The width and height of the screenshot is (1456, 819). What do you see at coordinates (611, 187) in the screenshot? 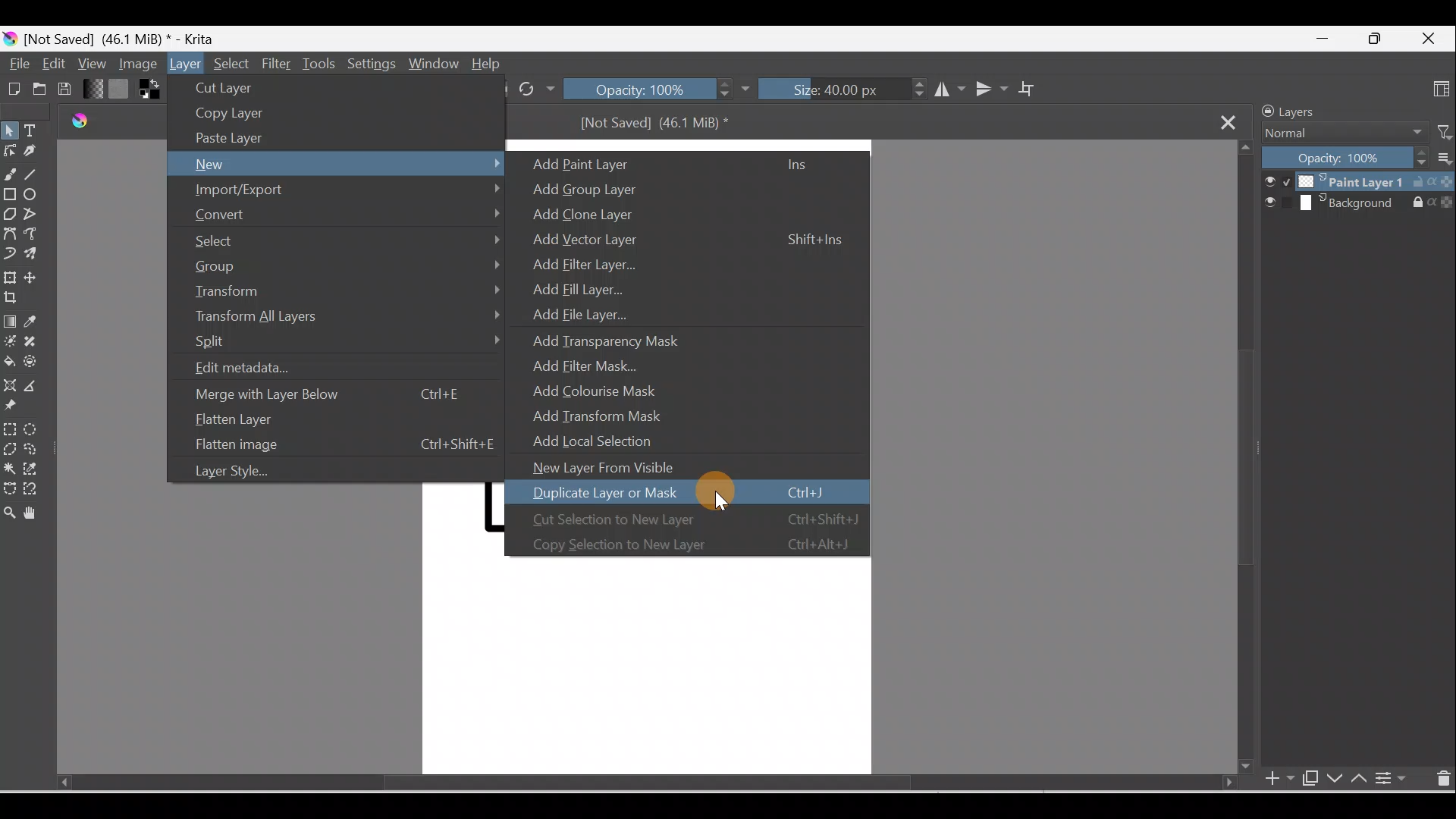
I see `Add group layer` at bounding box center [611, 187].